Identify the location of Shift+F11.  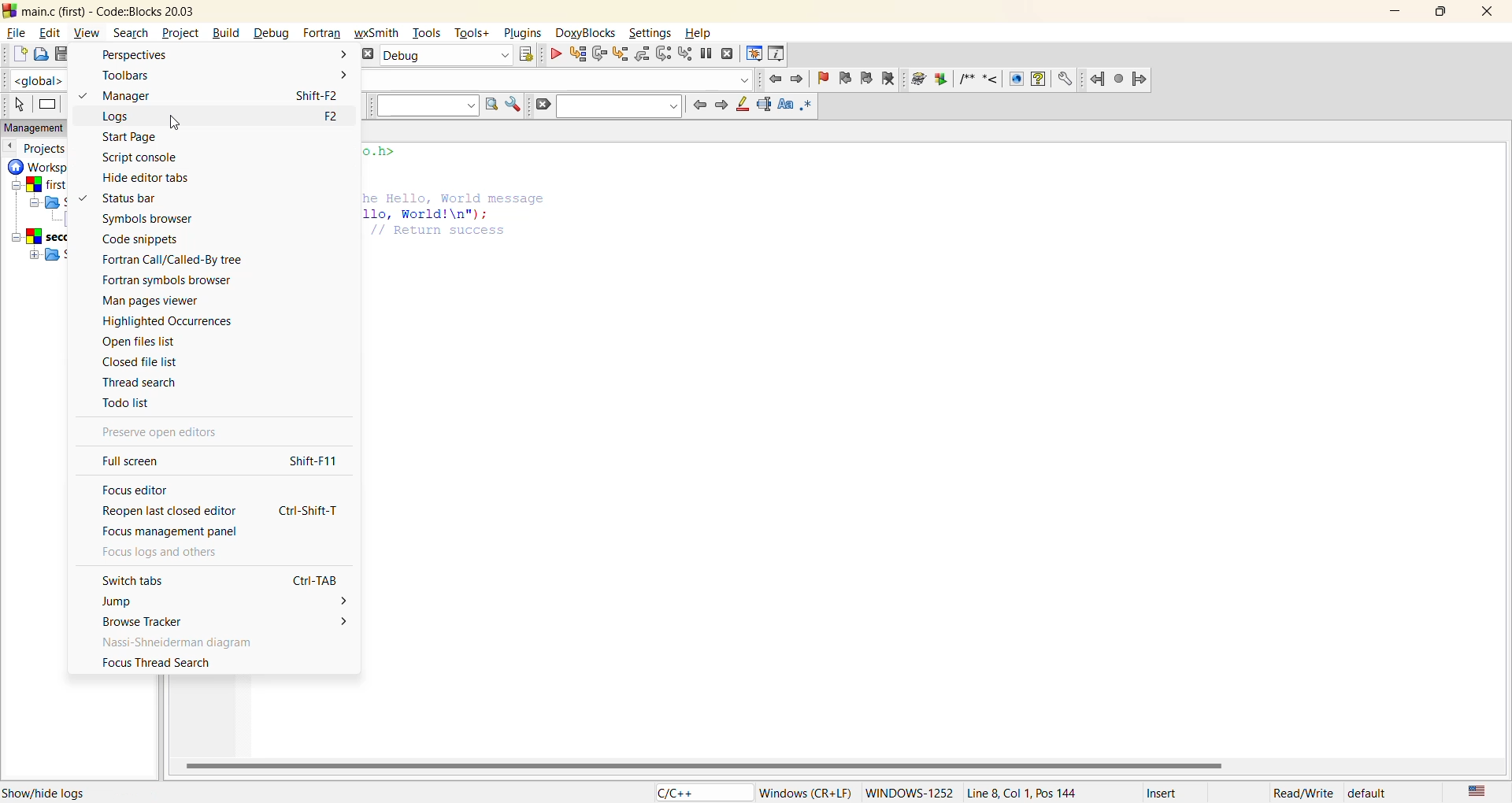
(318, 461).